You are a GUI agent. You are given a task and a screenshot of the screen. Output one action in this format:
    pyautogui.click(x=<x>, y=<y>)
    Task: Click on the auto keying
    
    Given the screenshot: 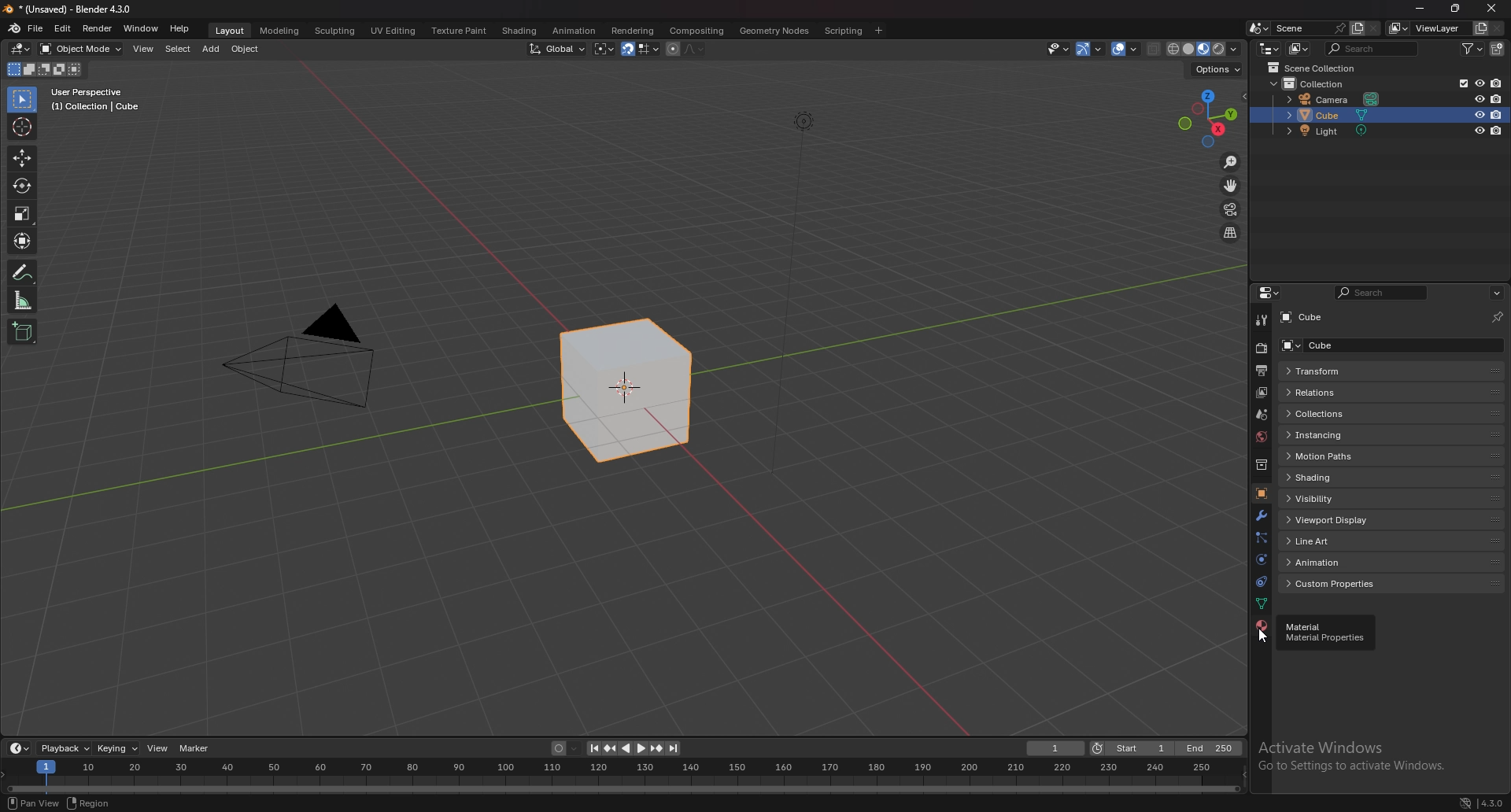 What is the action you would take?
    pyautogui.click(x=564, y=749)
    